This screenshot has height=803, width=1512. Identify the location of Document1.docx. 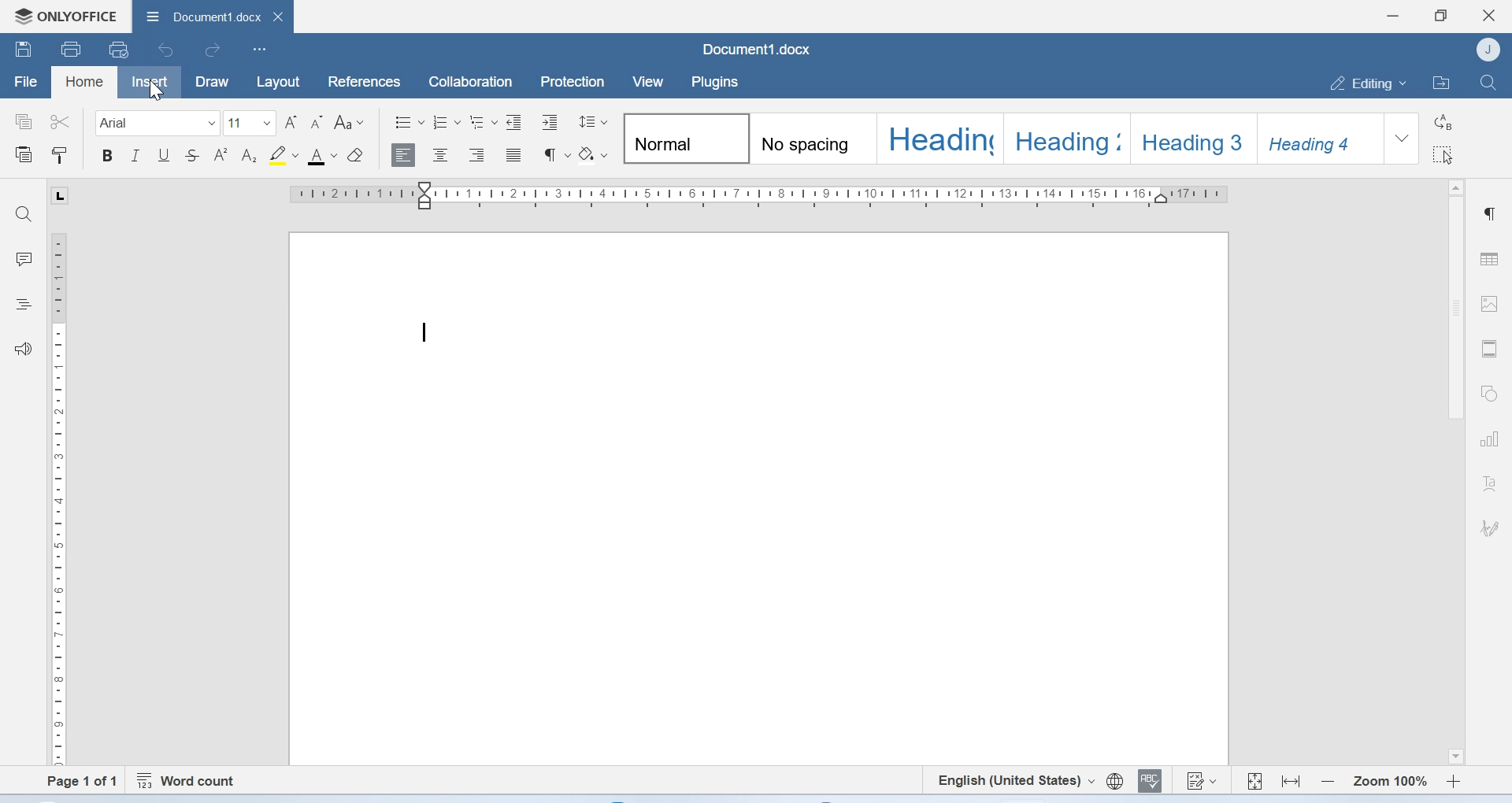
(756, 49).